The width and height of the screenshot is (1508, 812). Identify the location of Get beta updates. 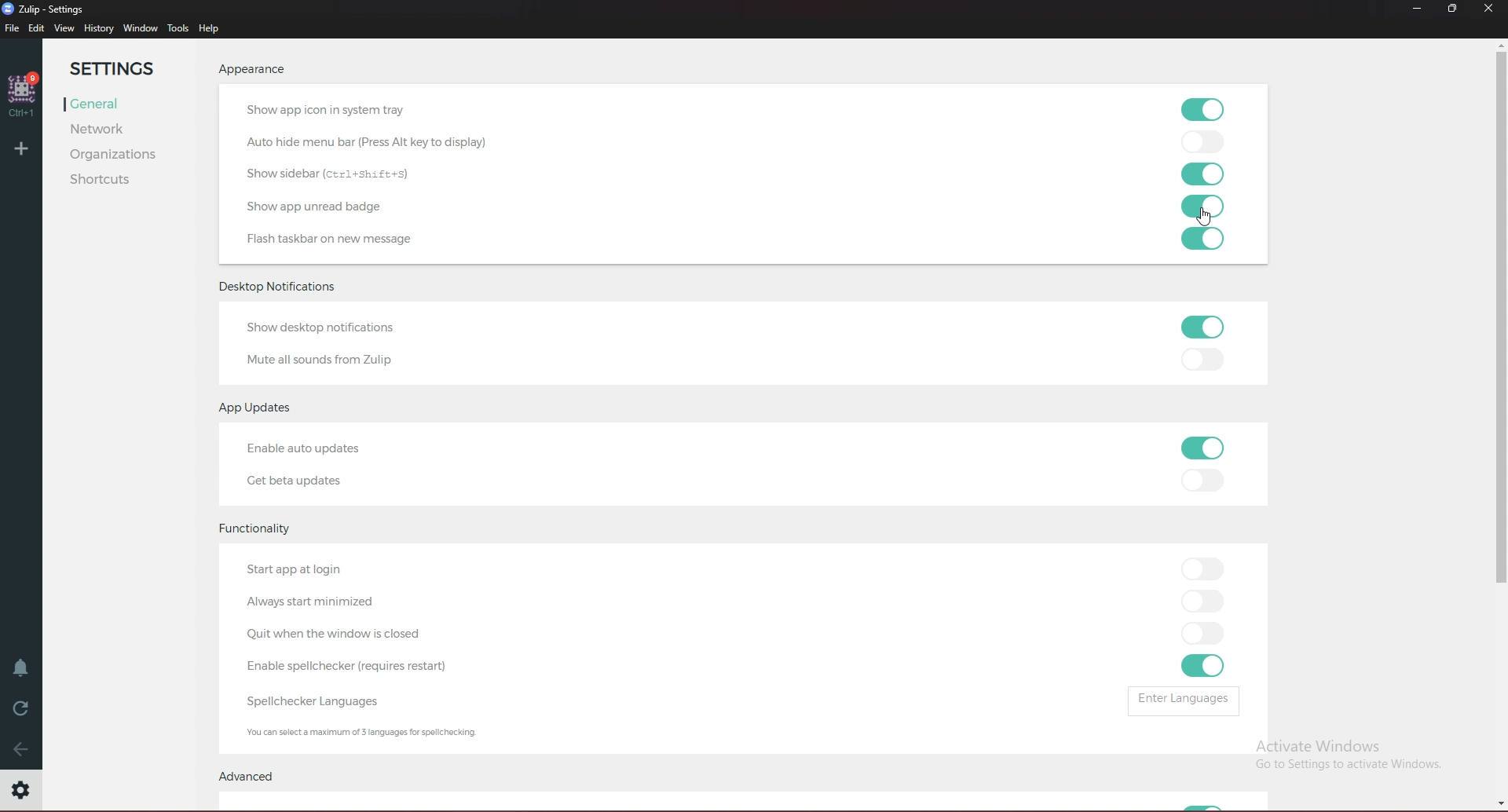
(296, 483).